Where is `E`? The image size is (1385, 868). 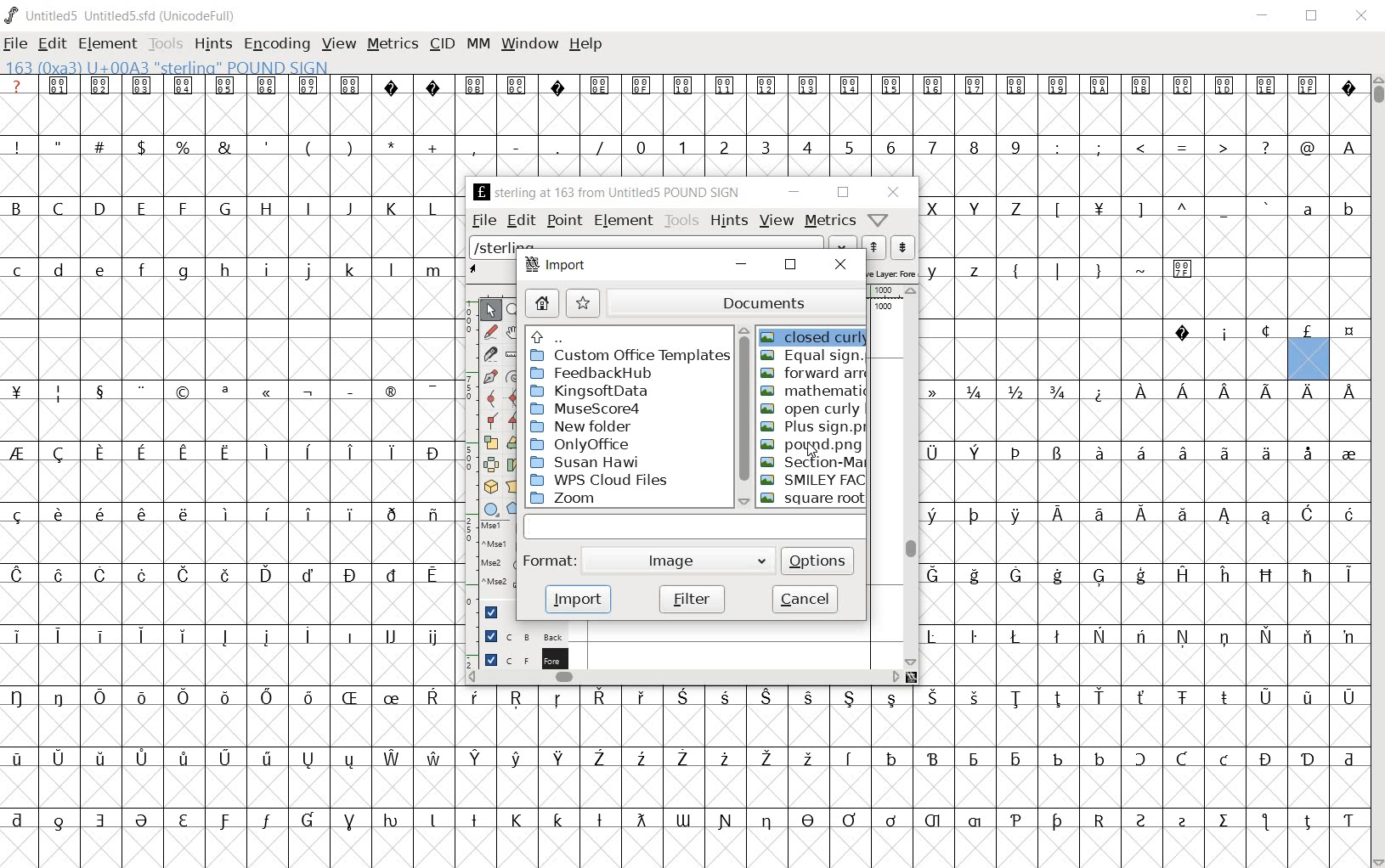
E is located at coordinates (140, 208).